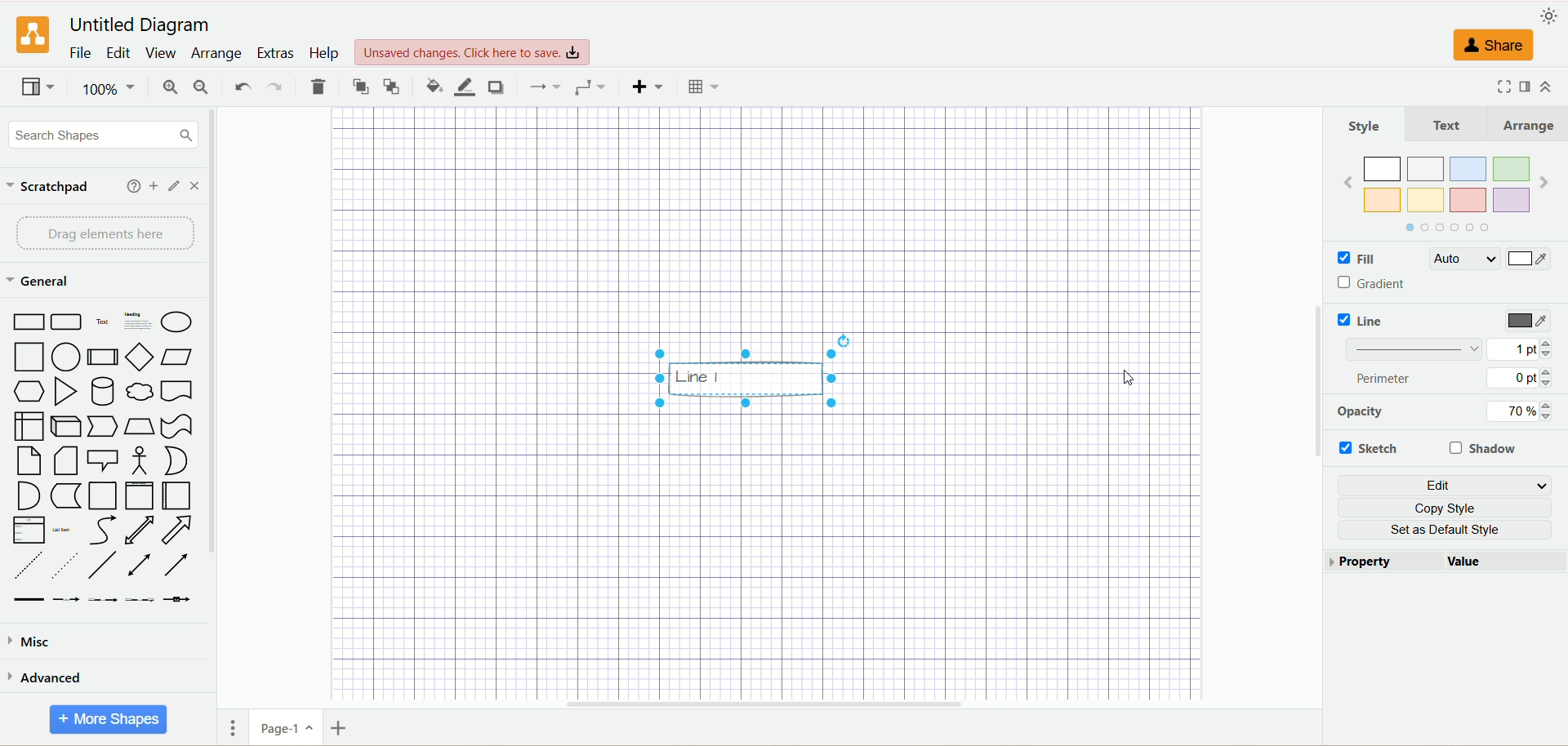 The image size is (1568, 746). Describe the element at coordinates (472, 53) in the screenshot. I see `Unsaved changes. click here to save` at that location.